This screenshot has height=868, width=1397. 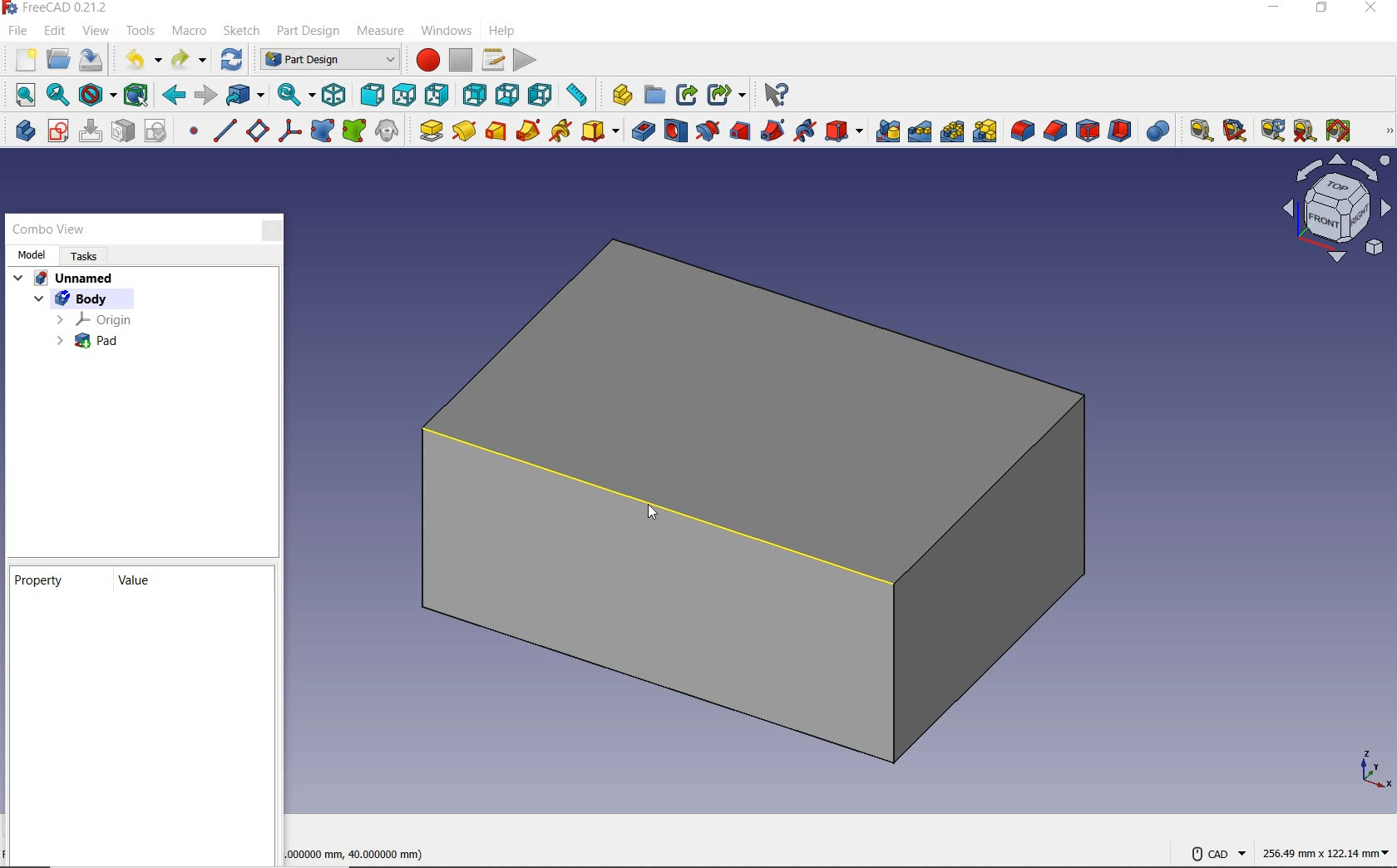 What do you see at coordinates (389, 132) in the screenshot?
I see `create a clone` at bounding box center [389, 132].